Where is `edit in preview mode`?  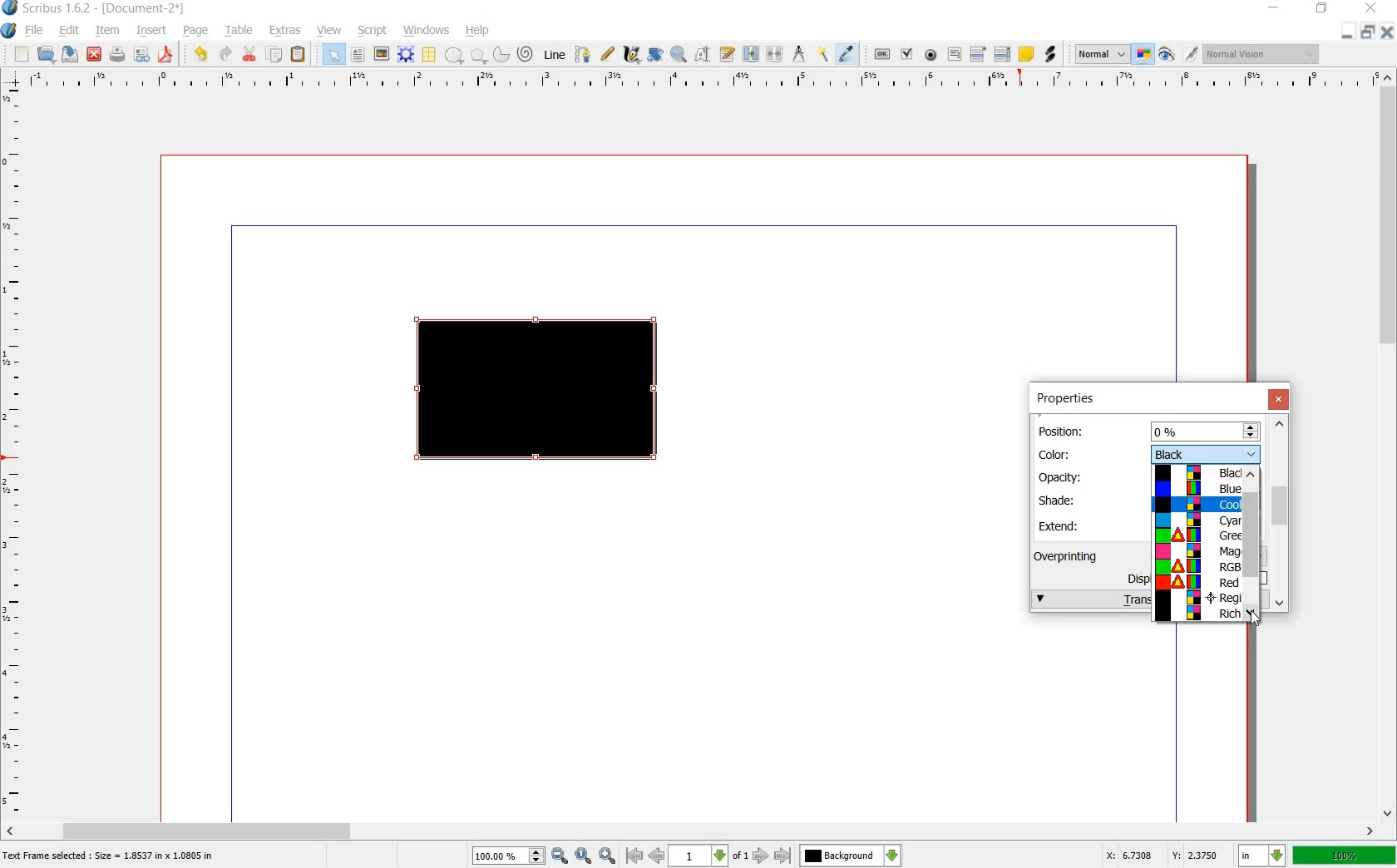 edit in preview mode is located at coordinates (1192, 55).